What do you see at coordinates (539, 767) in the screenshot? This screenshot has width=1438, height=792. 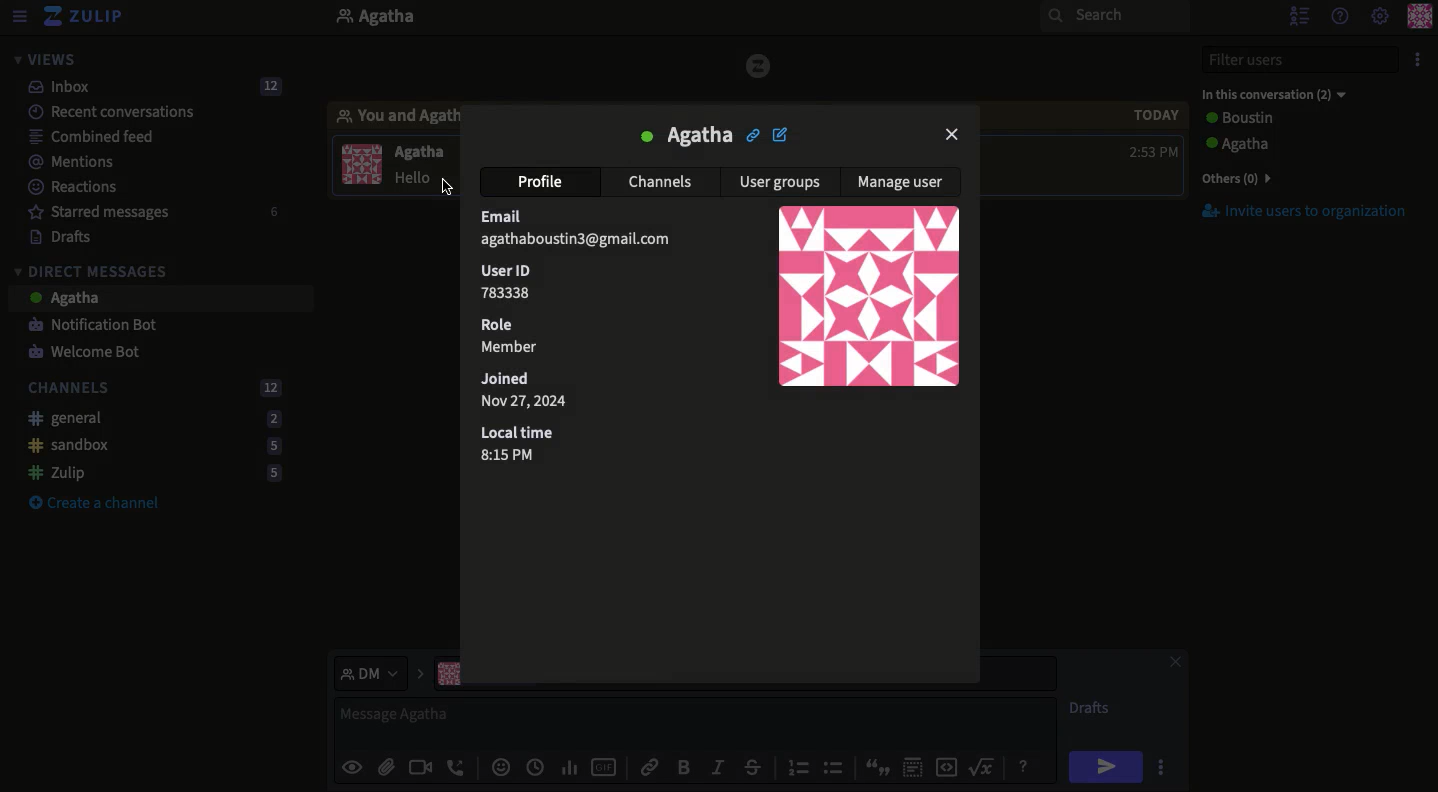 I see `Add global time` at bounding box center [539, 767].